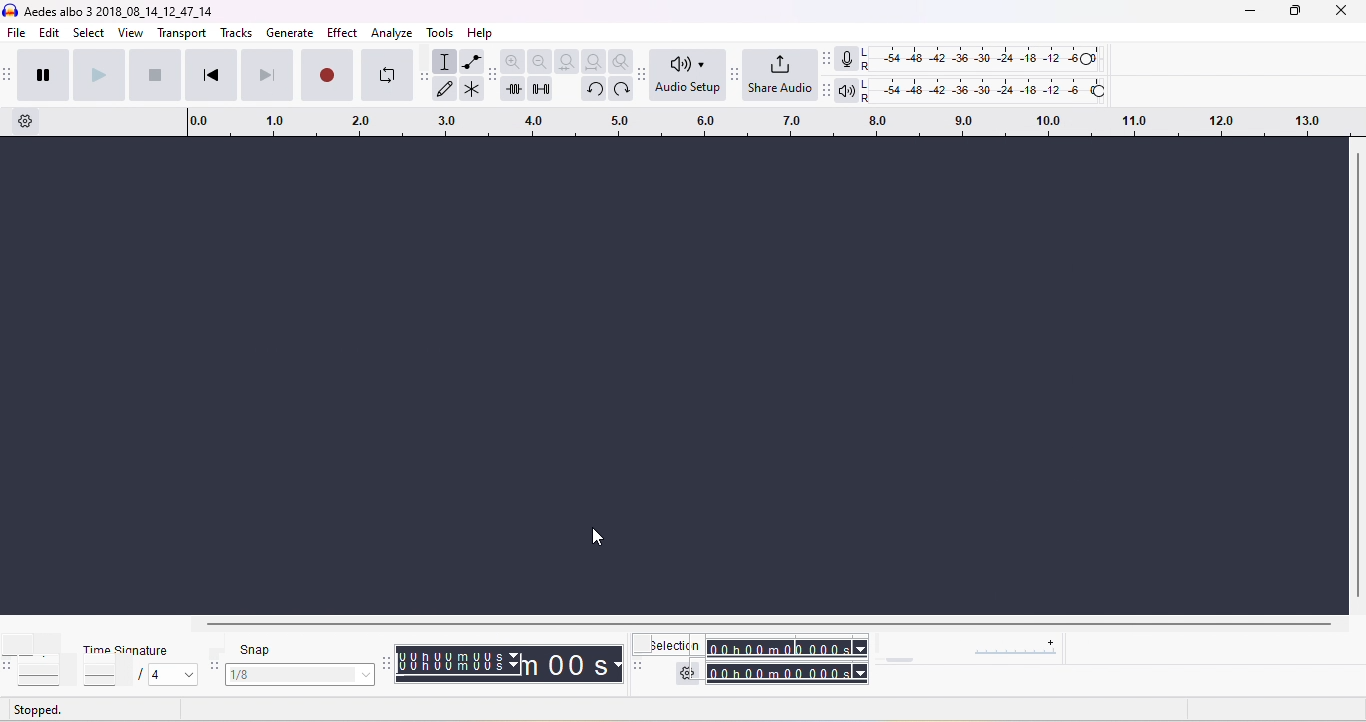 The image size is (1366, 722). I want to click on silence the selection, so click(544, 92).